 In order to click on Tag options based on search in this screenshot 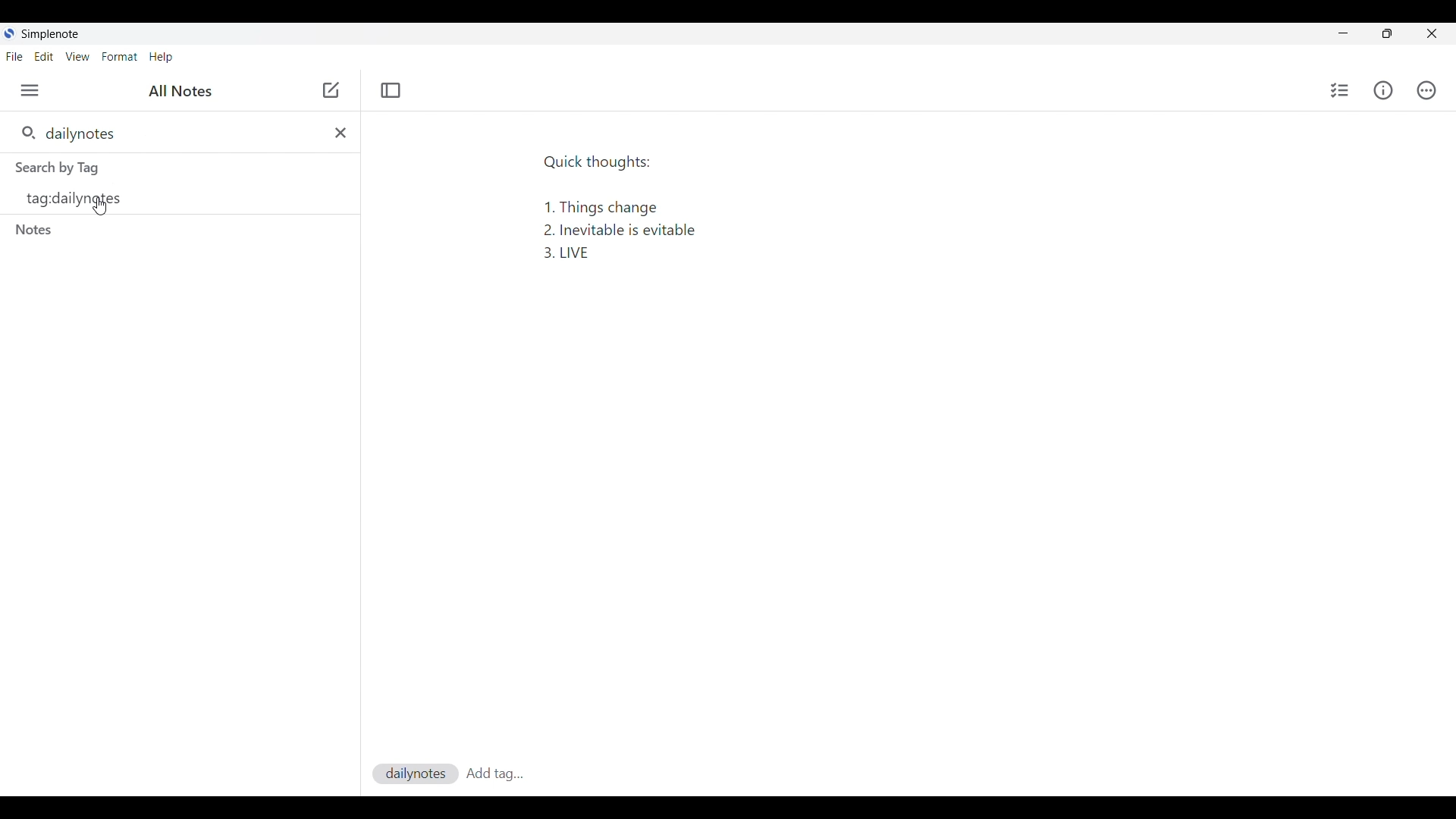, I will do `click(77, 199)`.